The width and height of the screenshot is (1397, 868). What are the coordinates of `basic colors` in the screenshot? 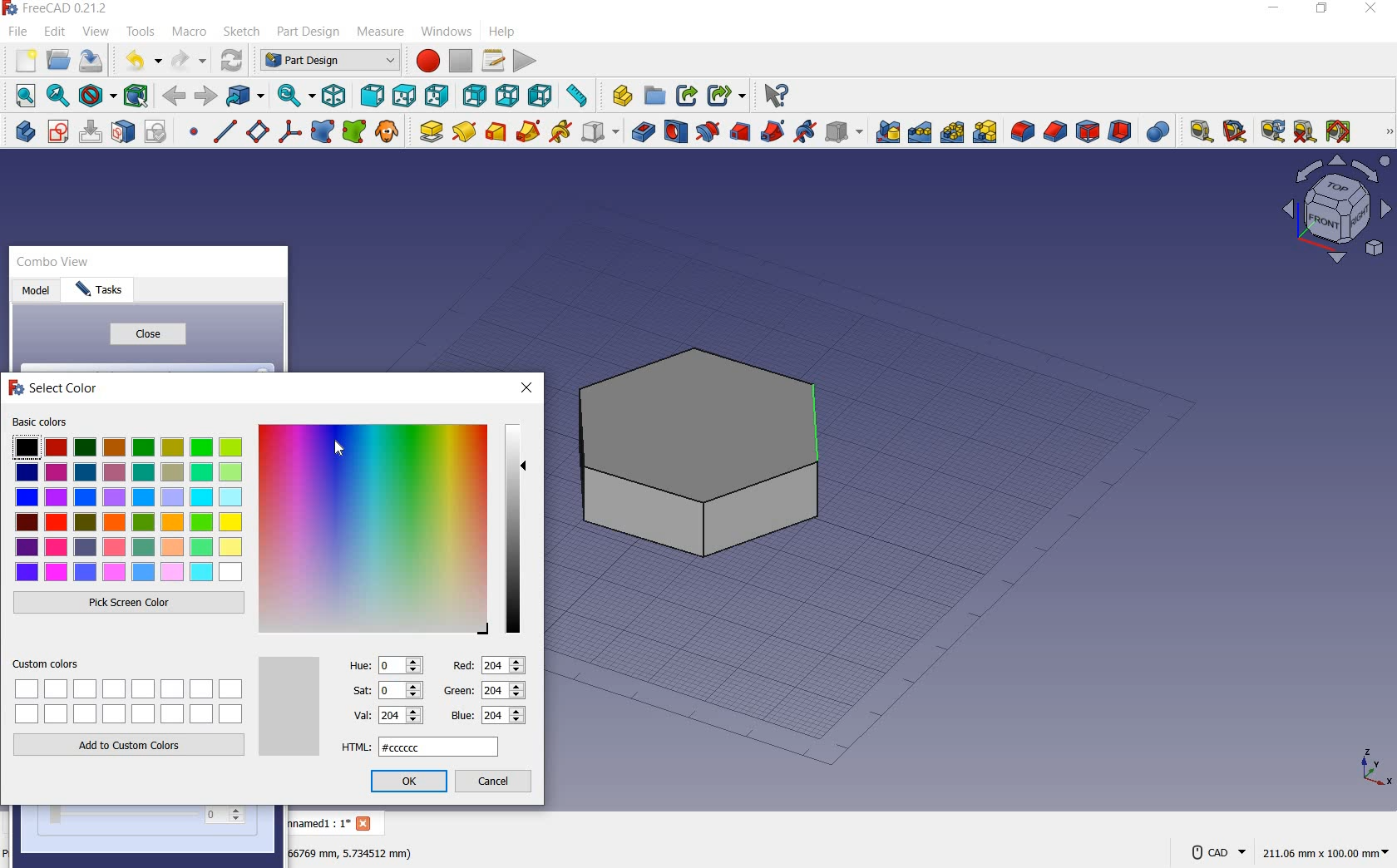 It's located at (126, 500).